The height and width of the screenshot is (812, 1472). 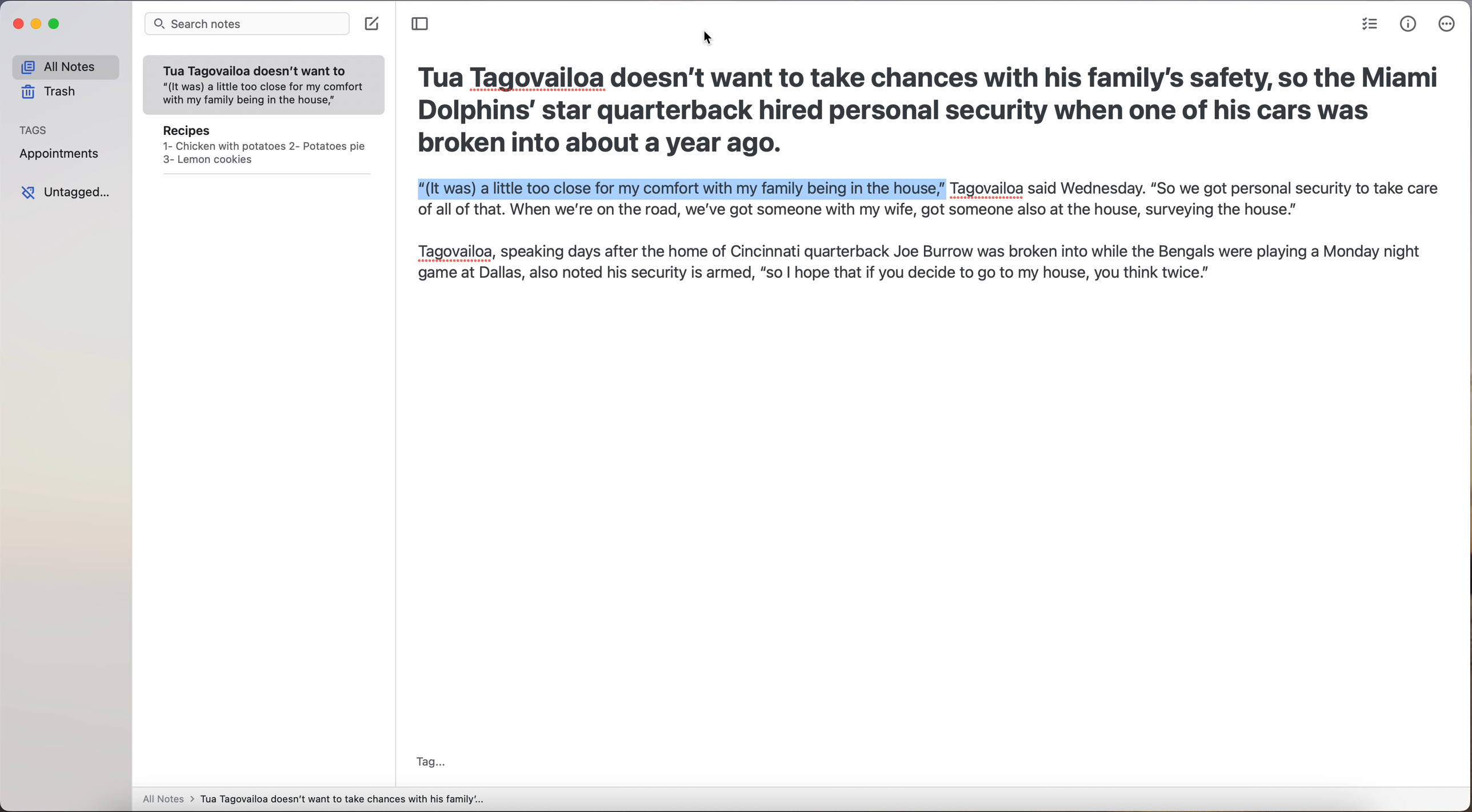 I want to click on tags, so click(x=34, y=129).